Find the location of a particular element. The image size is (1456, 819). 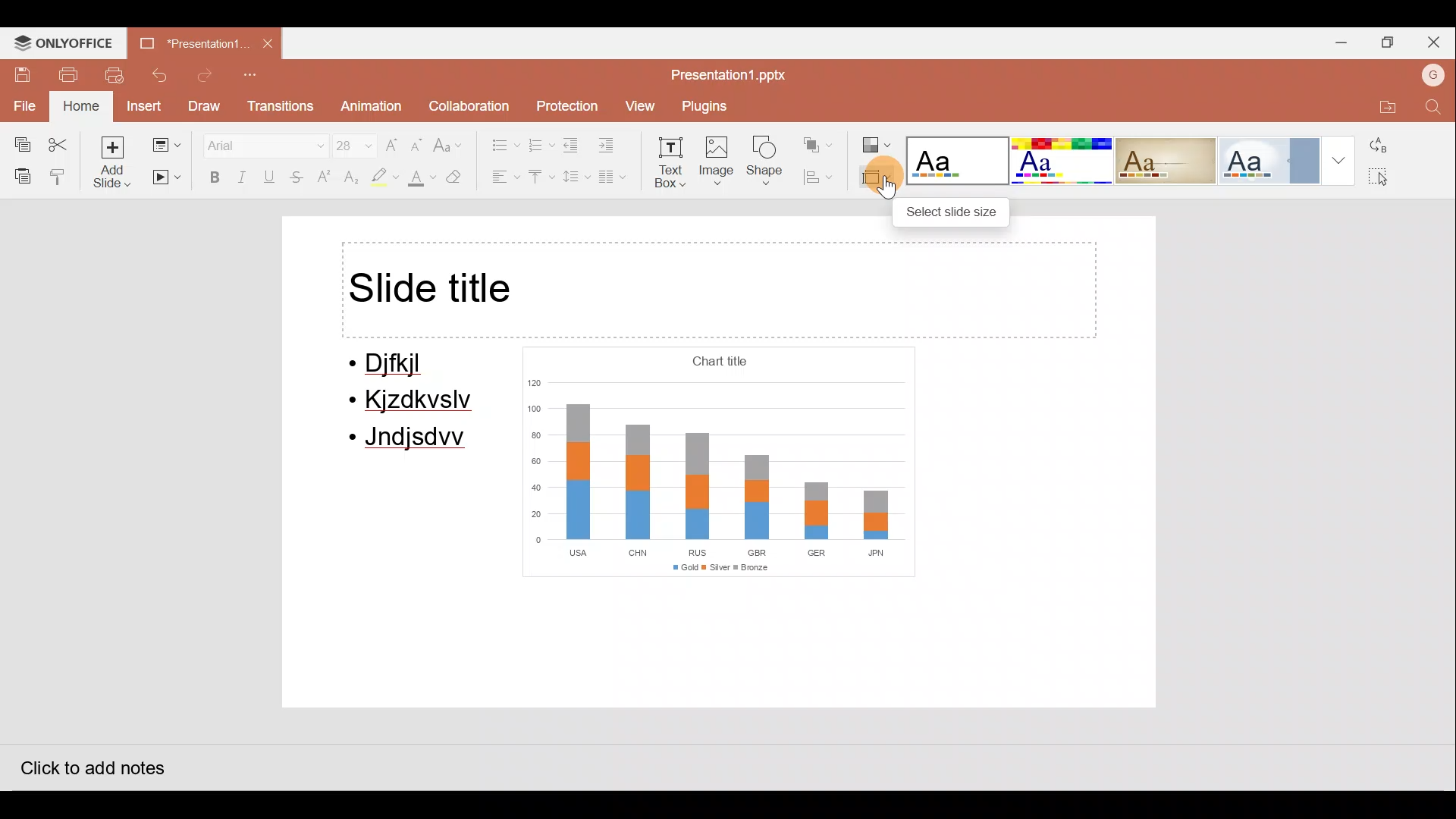

View is located at coordinates (639, 106).